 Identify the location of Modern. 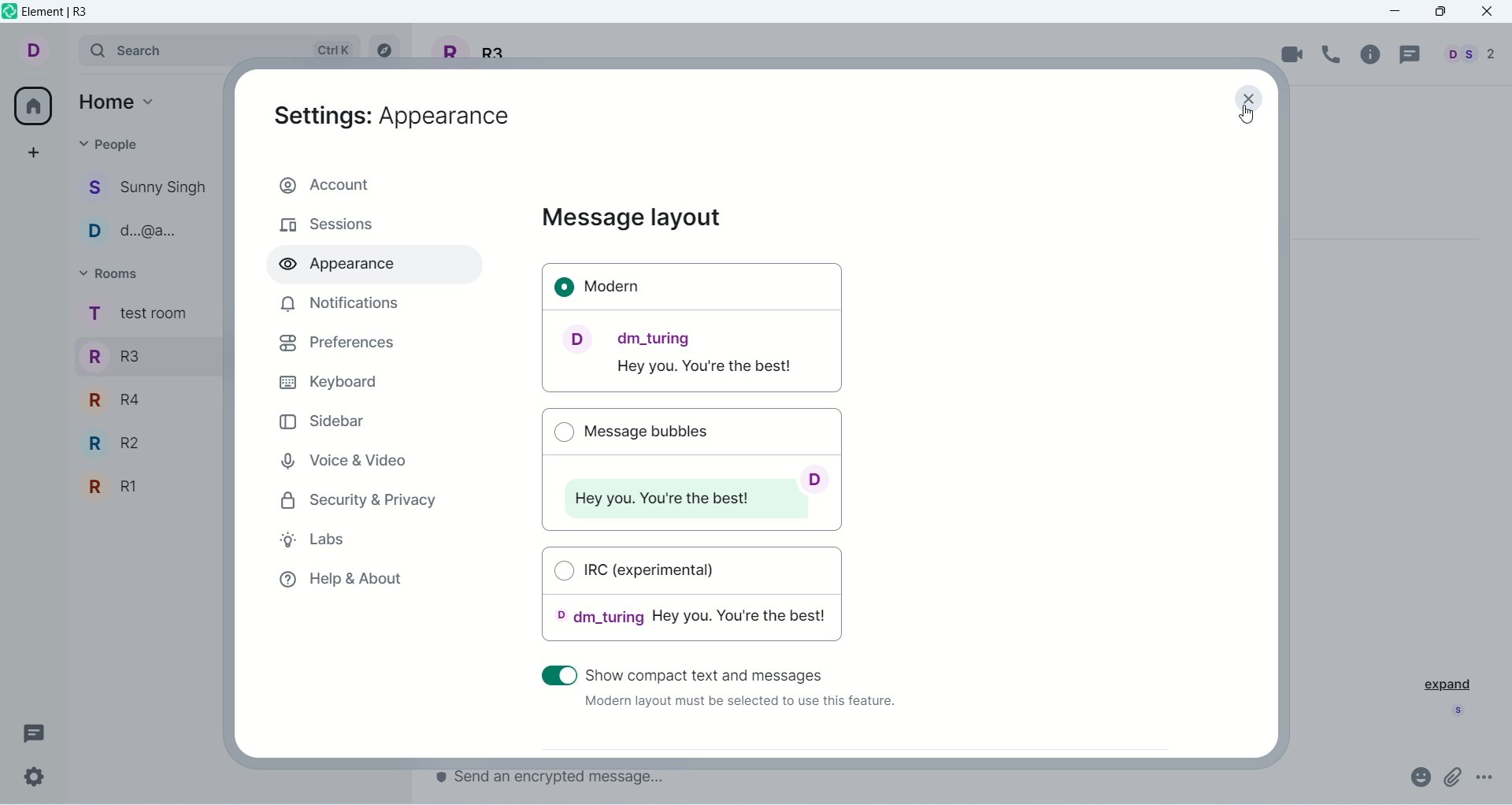
(693, 329).